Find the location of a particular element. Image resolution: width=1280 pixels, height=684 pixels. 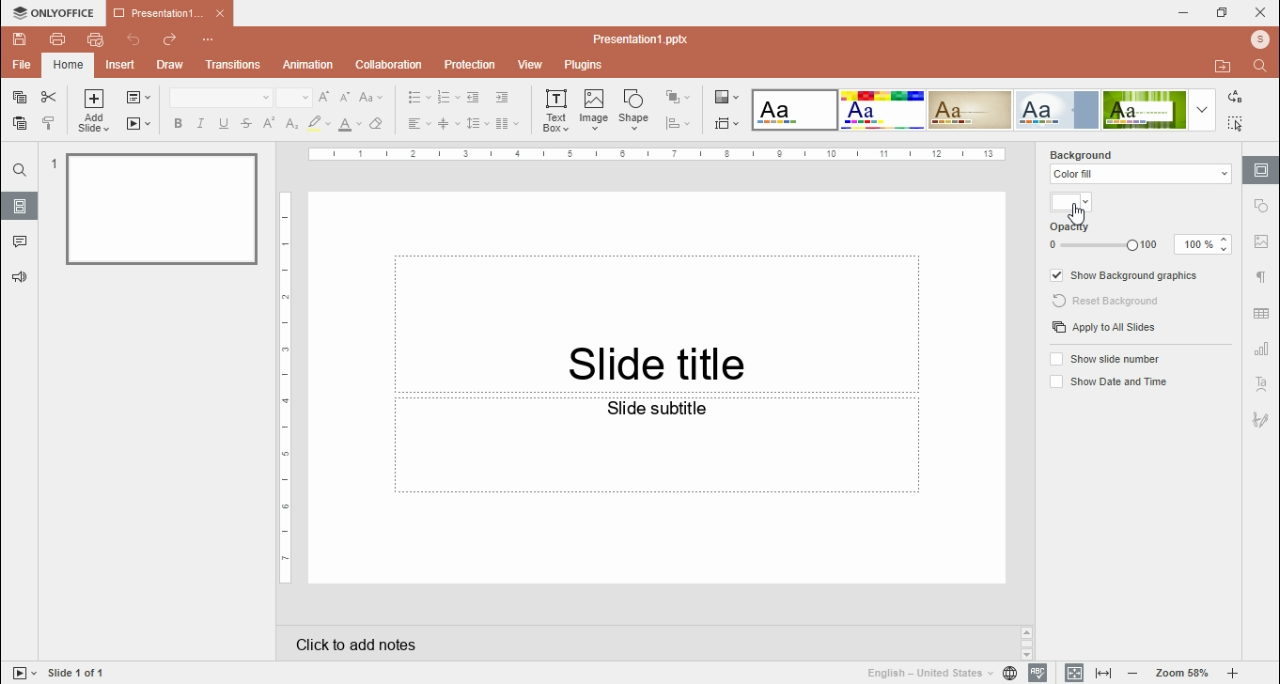

color is located at coordinates (1072, 202).